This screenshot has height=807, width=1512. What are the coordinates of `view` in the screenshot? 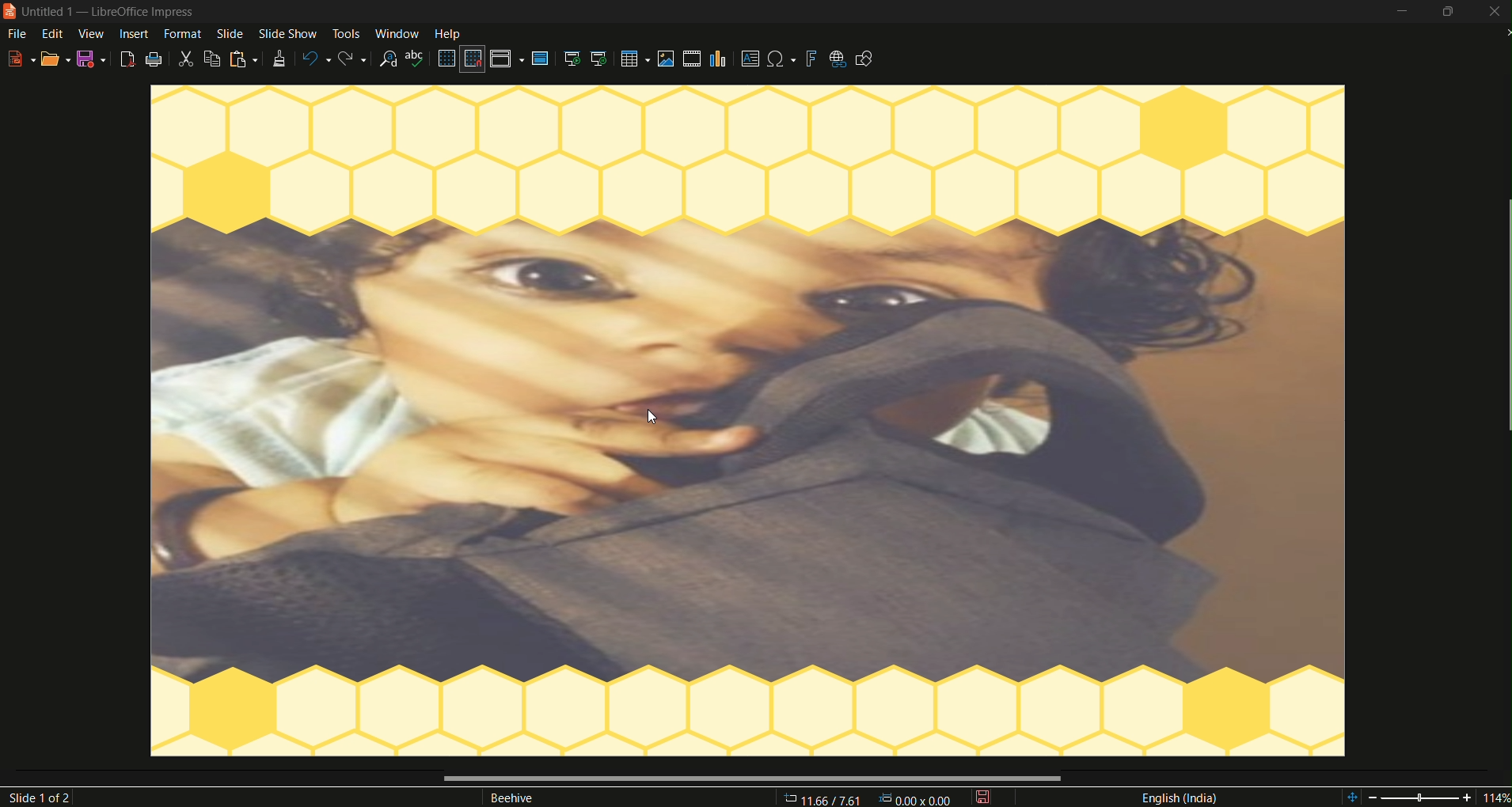 It's located at (92, 34).